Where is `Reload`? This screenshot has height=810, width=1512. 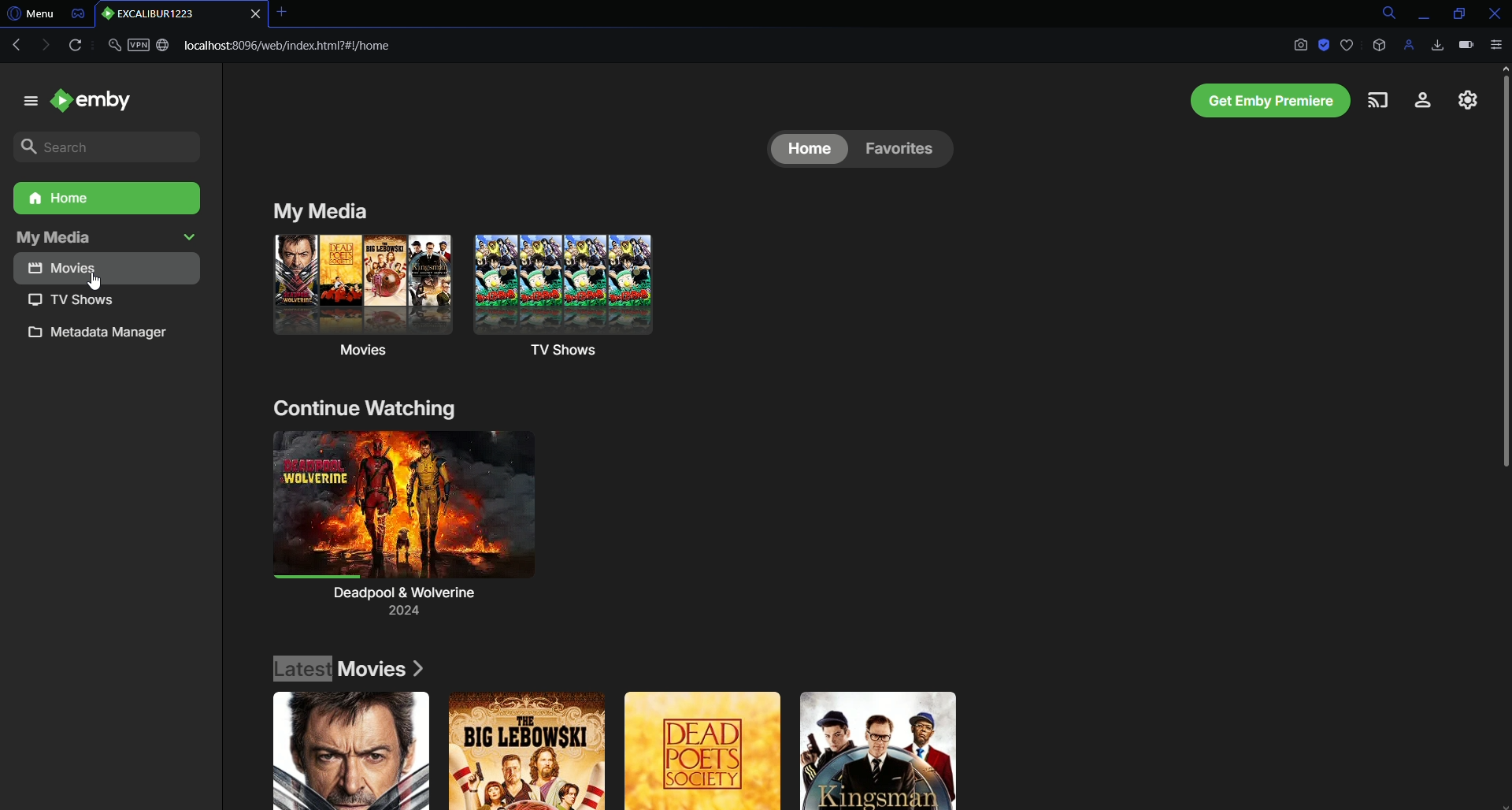
Reload is located at coordinates (74, 46).